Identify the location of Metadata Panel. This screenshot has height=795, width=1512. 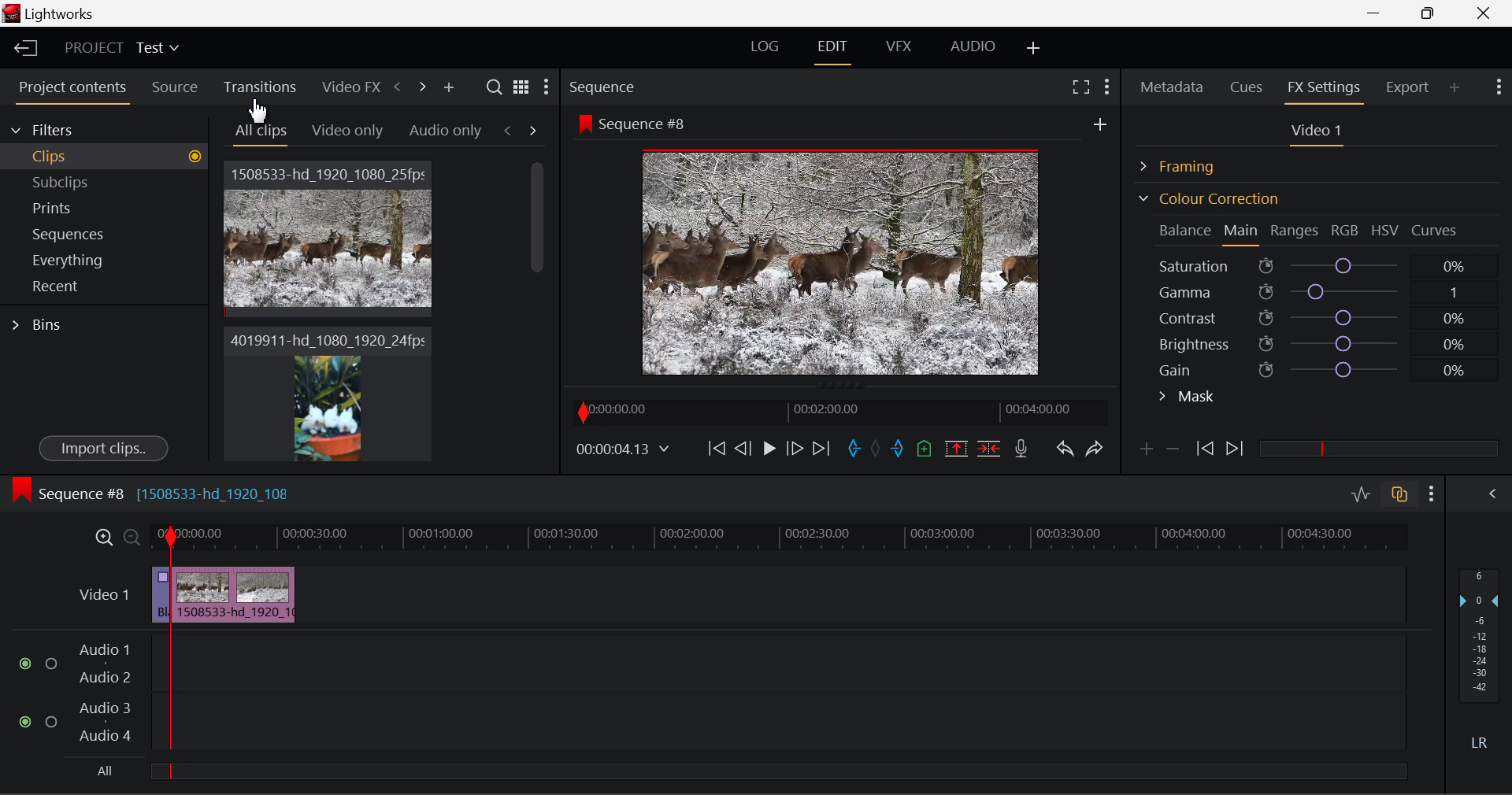
(1173, 84).